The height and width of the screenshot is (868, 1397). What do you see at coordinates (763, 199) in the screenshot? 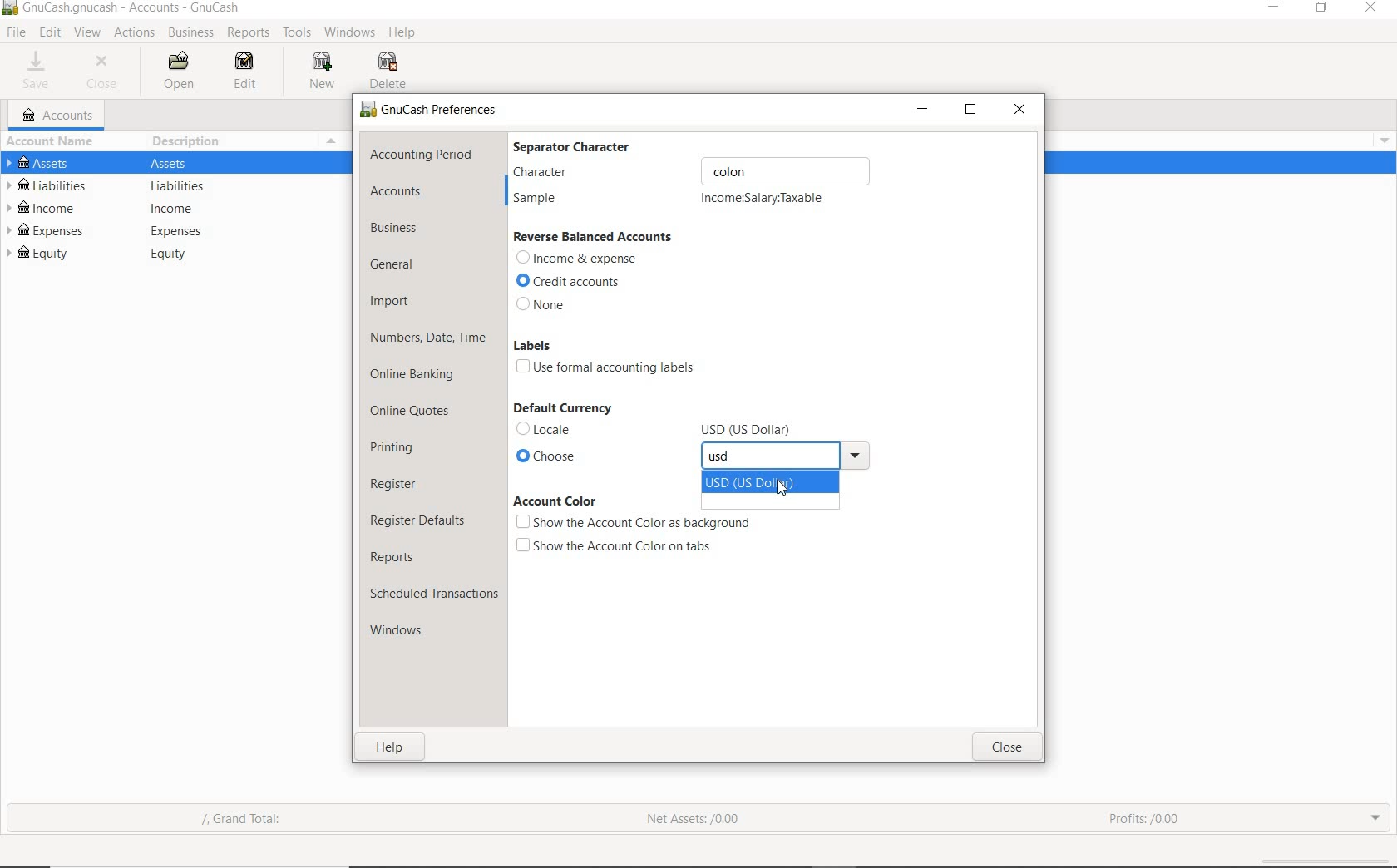
I see `incomeSalary:Taxable` at bounding box center [763, 199].